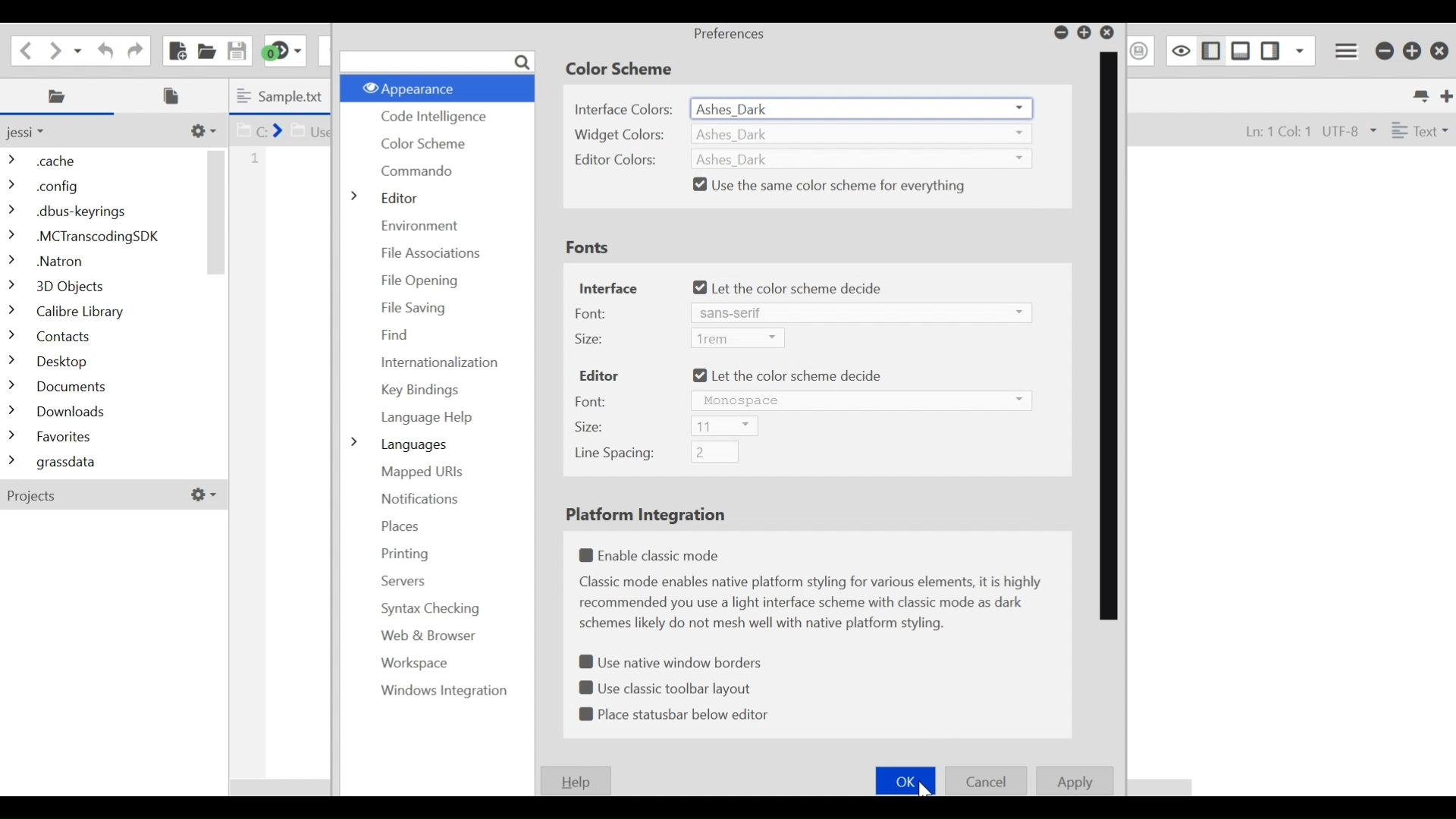 The height and width of the screenshot is (819, 1456). I want to click on Color Scheme, so click(624, 69).